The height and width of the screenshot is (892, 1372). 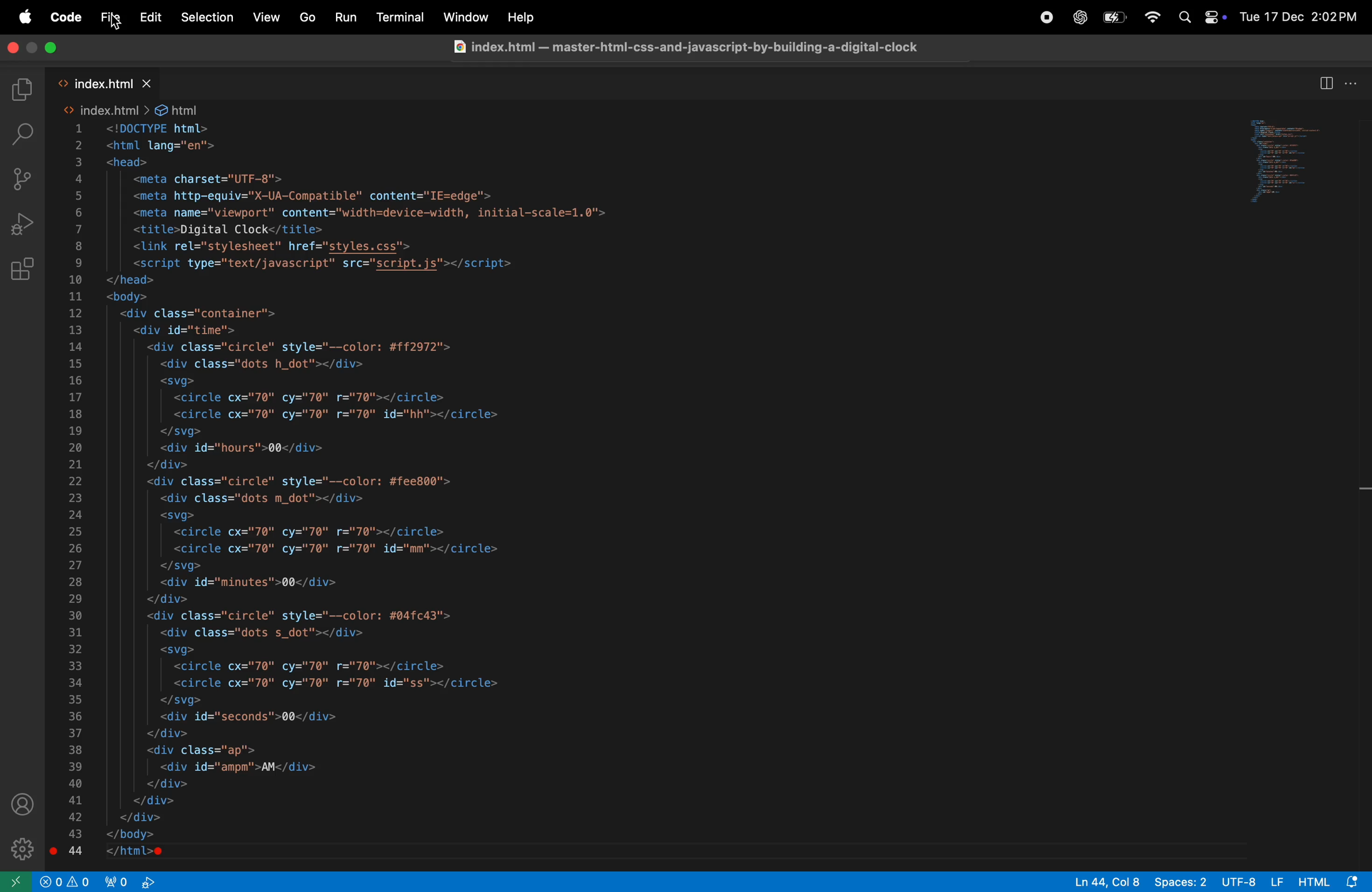 I want to click on options, so click(x=1352, y=82).